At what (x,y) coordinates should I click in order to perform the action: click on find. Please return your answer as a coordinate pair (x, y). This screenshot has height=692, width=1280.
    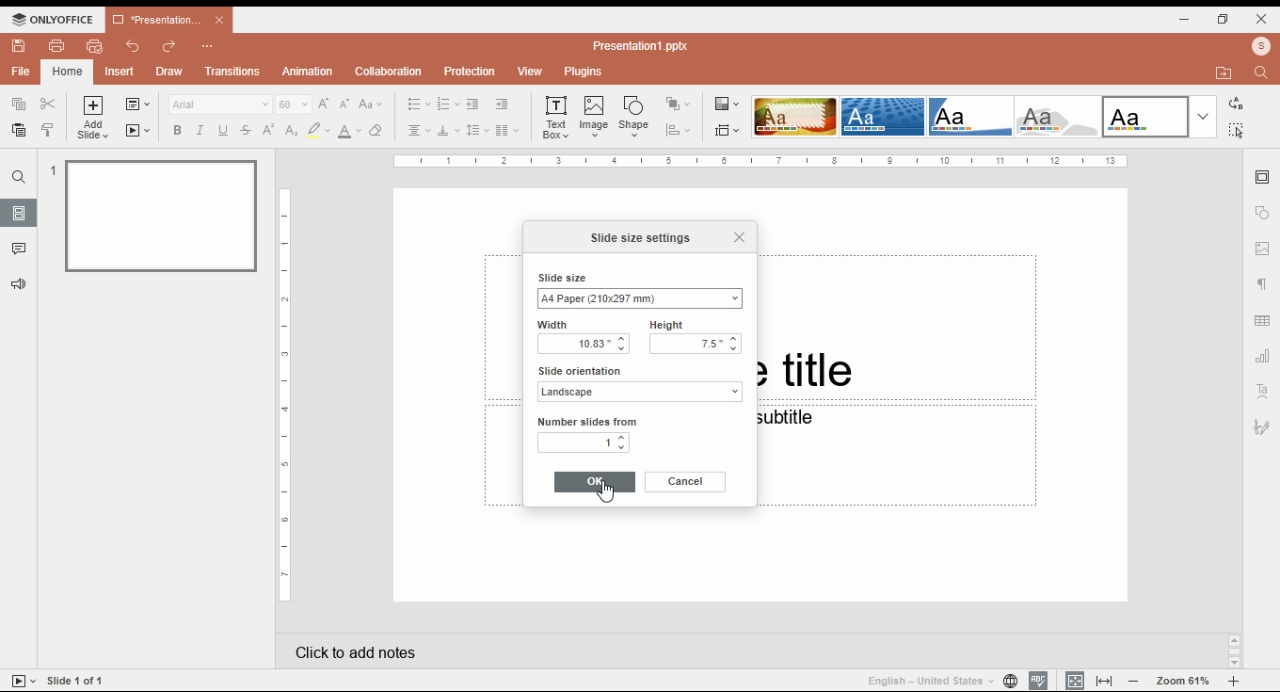
    Looking at the image, I should click on (1264, 71).